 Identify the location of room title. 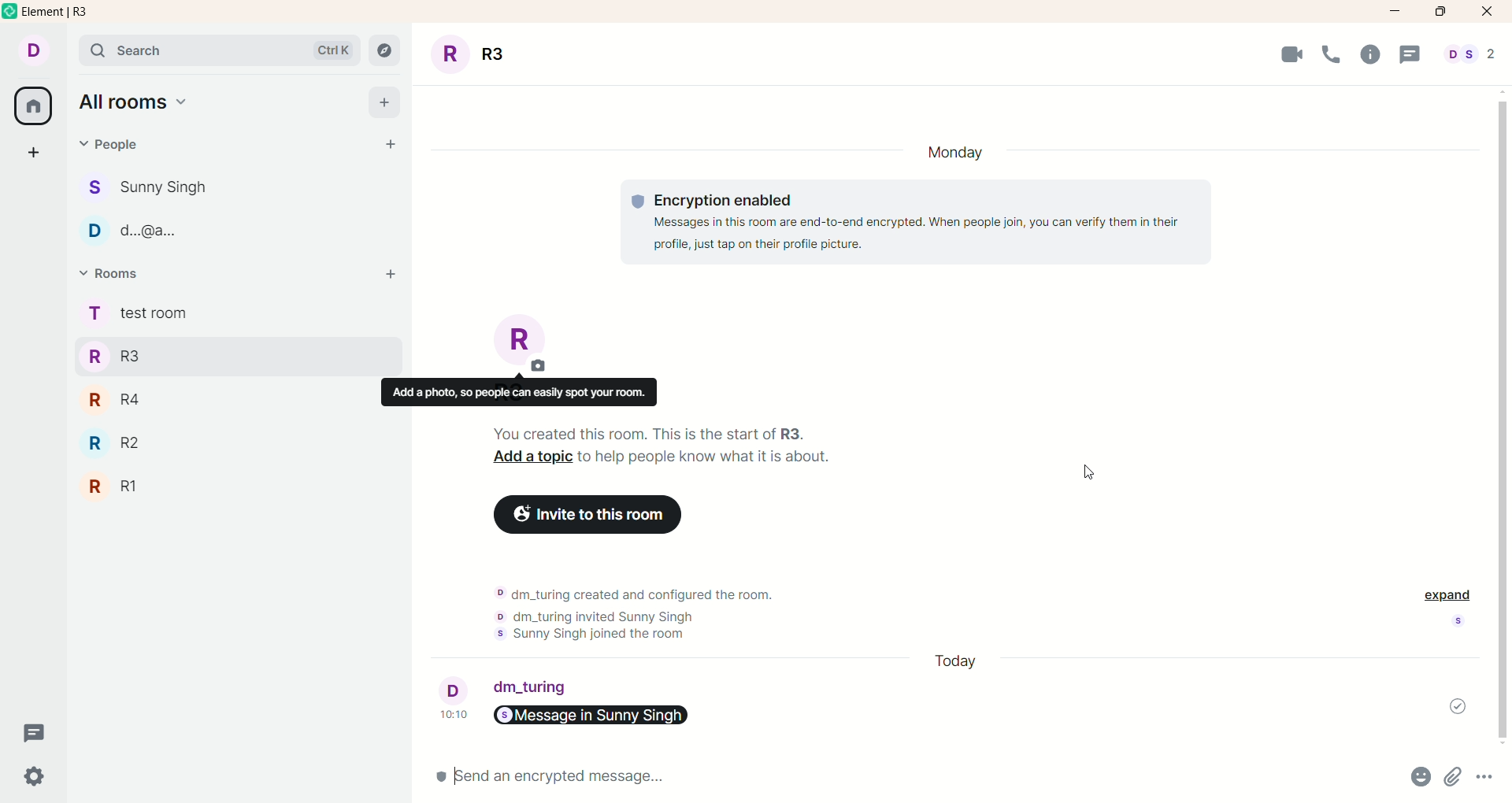
(476, 50).